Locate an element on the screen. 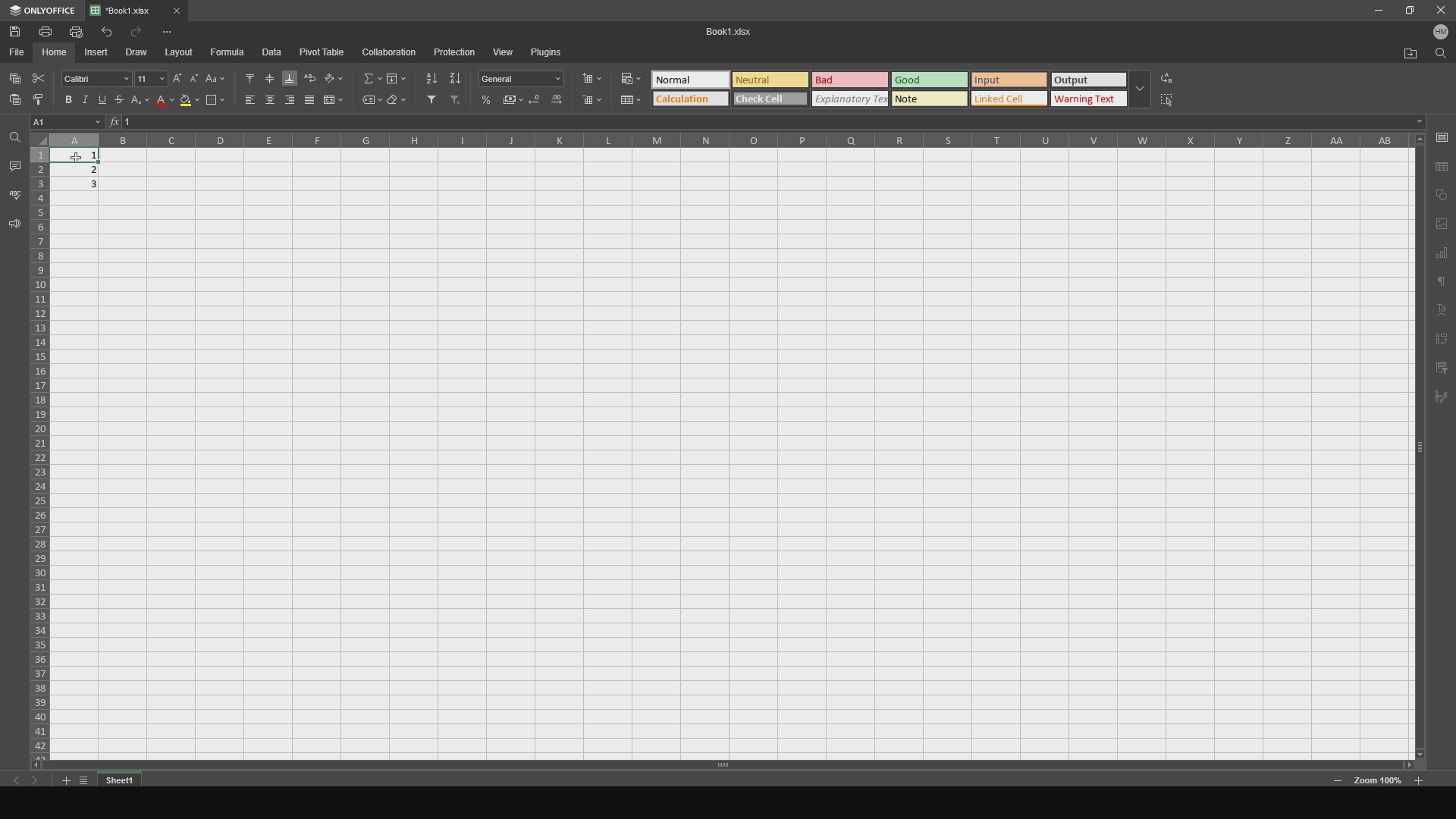 The height and width of the screenshot is (819, 1456). home is located at coordinates (56, 53).